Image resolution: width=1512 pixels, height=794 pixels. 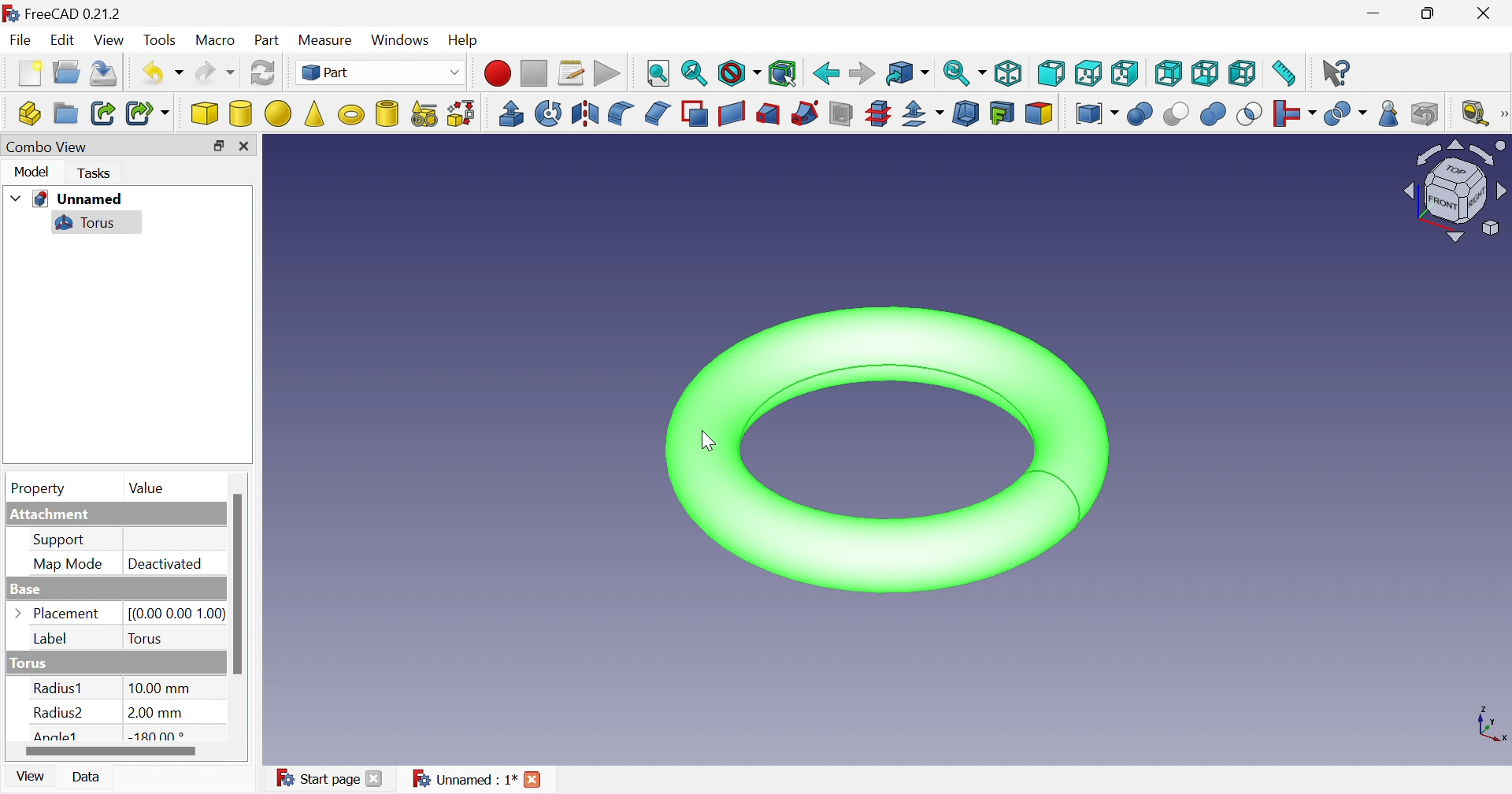 What do you see at coordinates (569, 72) in the screenshot?
I see `Macros` at bounding box center [569, 72].